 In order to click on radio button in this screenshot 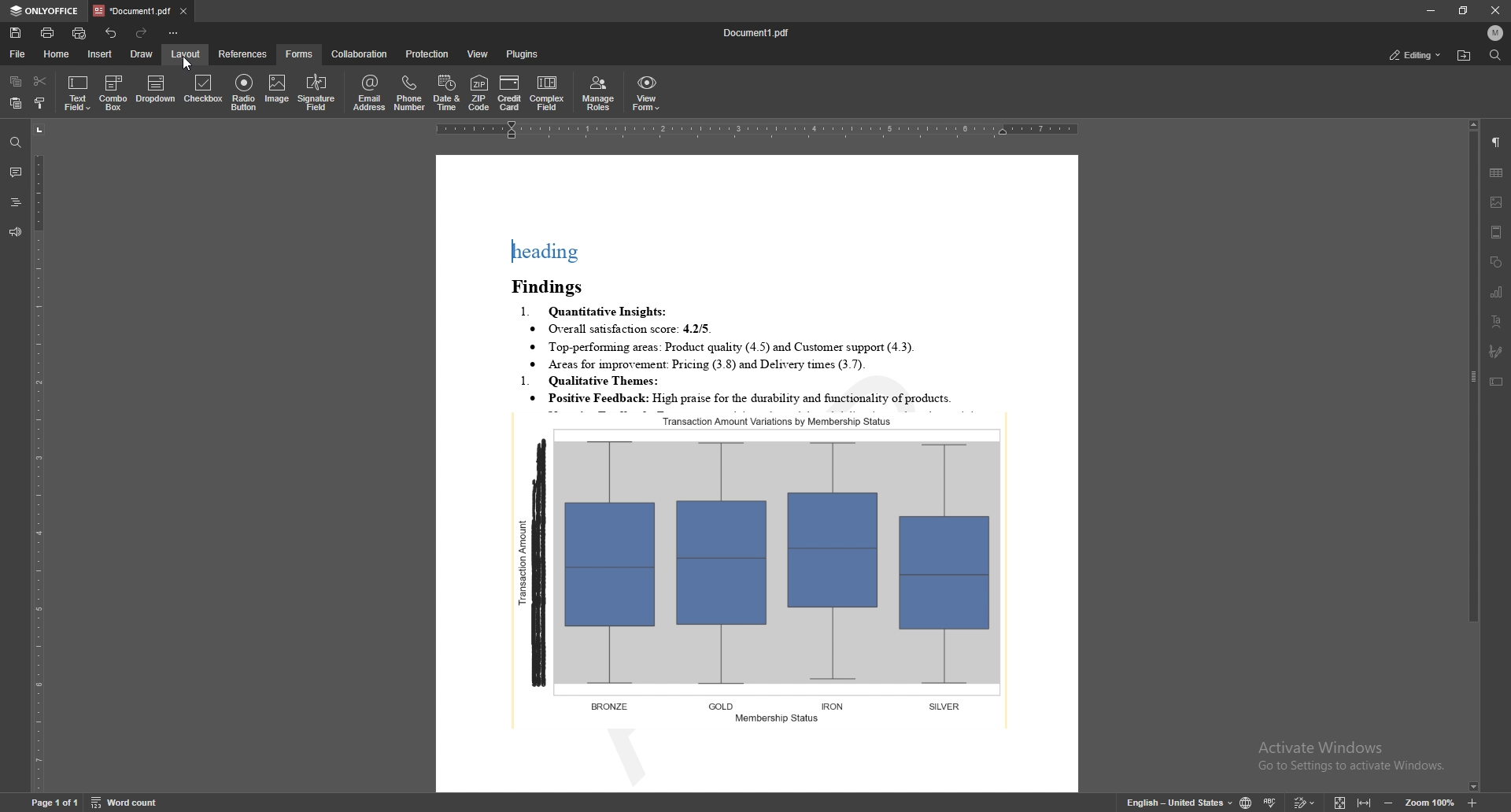, I will do `click(243, 94)`.